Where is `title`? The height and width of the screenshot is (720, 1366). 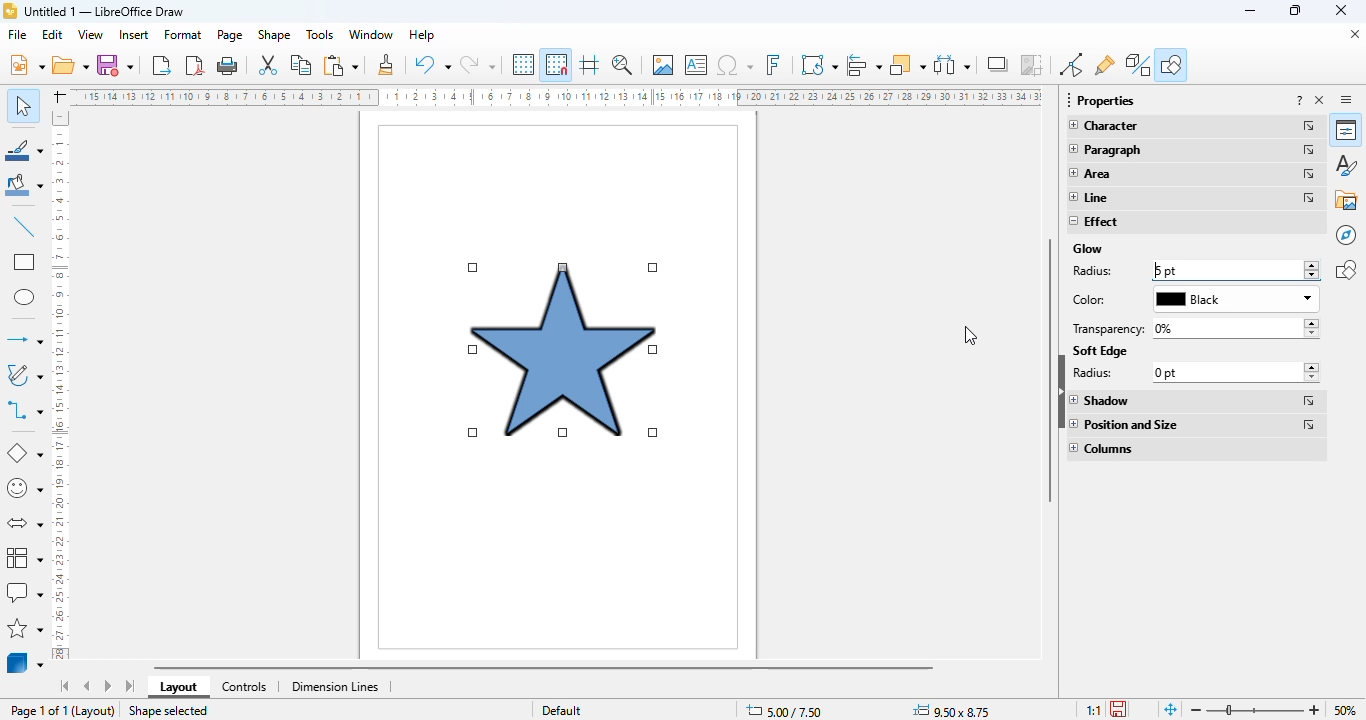
title is located at coordinates (104, 11).